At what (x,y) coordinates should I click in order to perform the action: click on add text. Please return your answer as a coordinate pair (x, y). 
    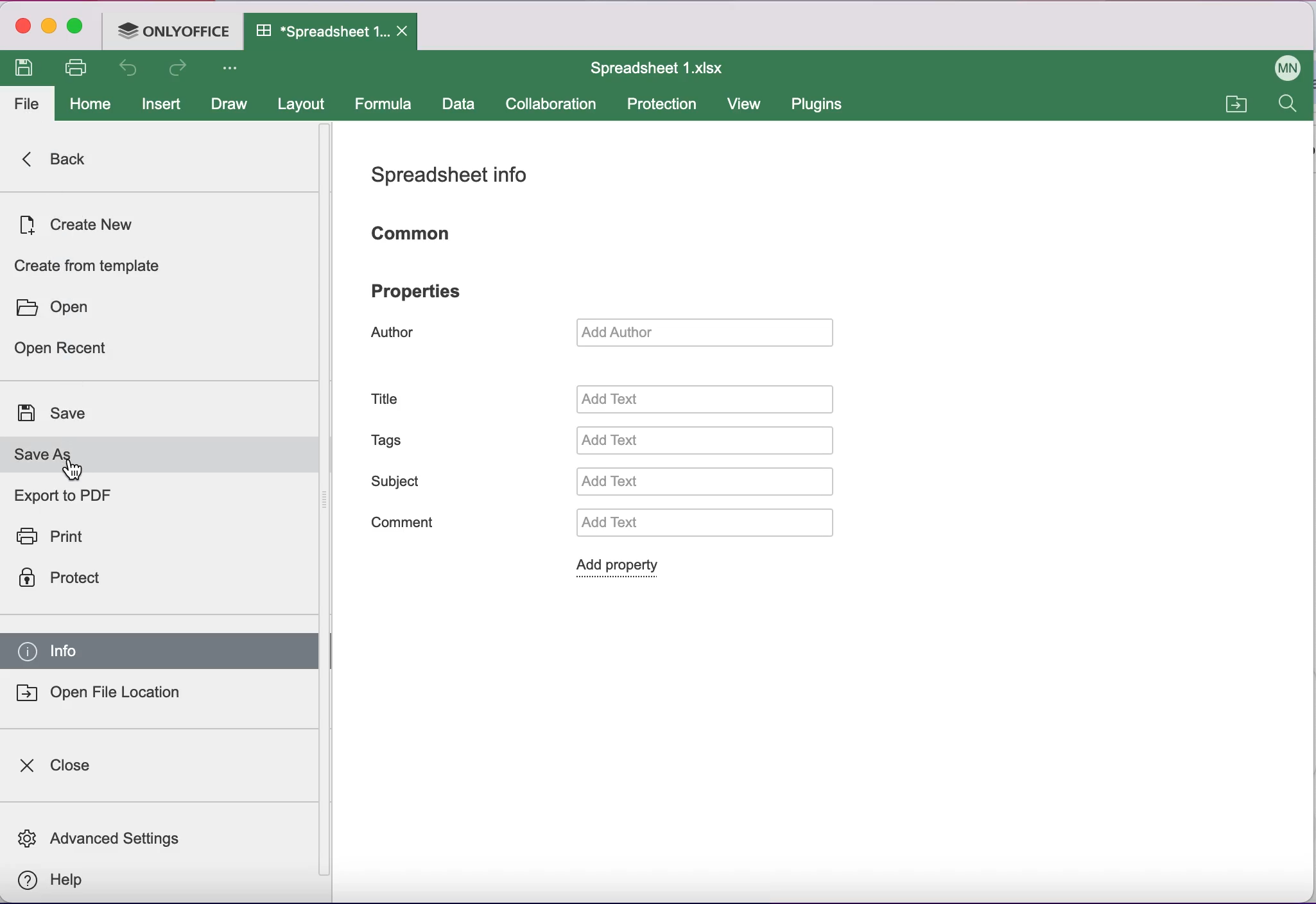
    Looking at the image, I should click on (703, 525).